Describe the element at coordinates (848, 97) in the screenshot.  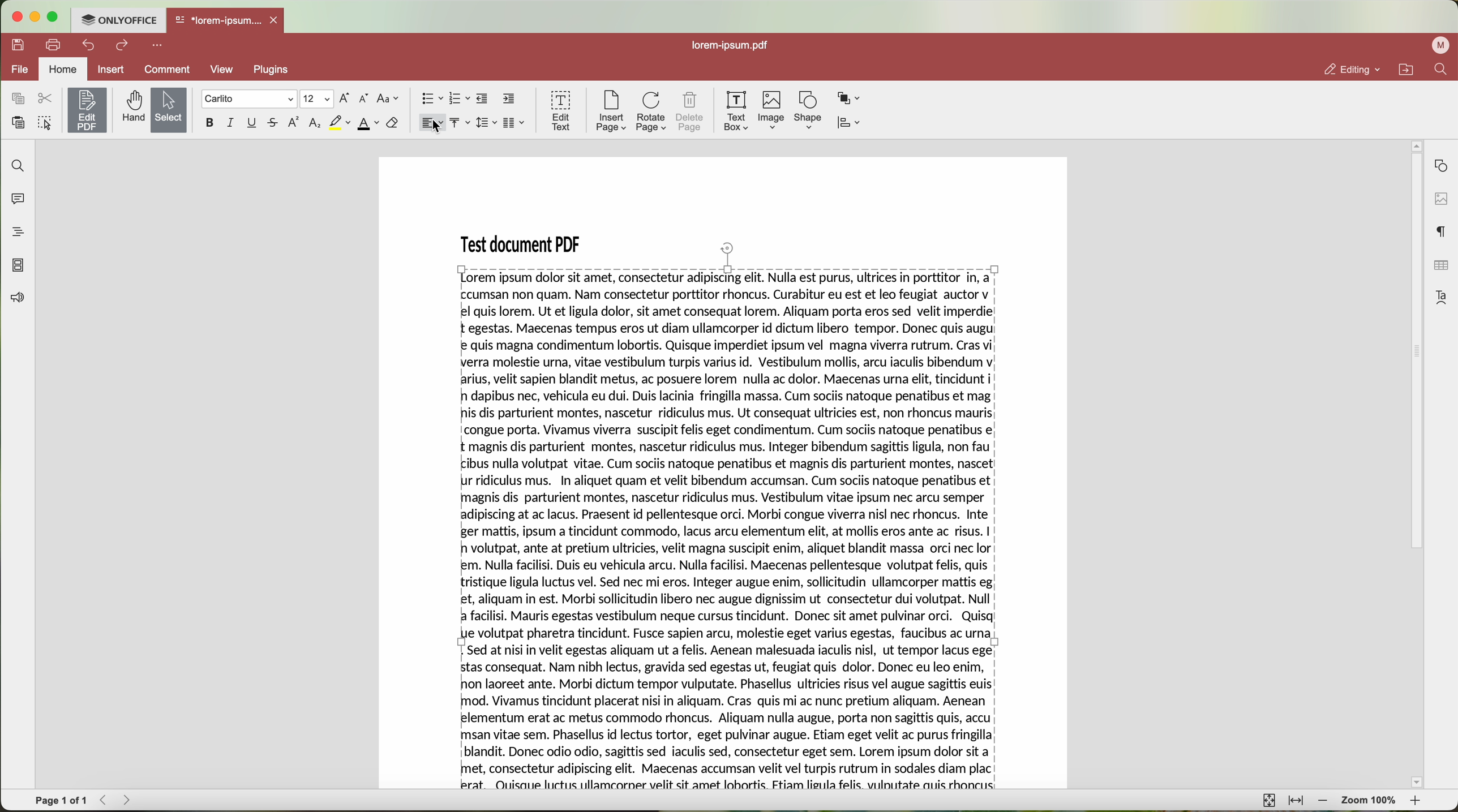
I see `arrange shape` at that location.